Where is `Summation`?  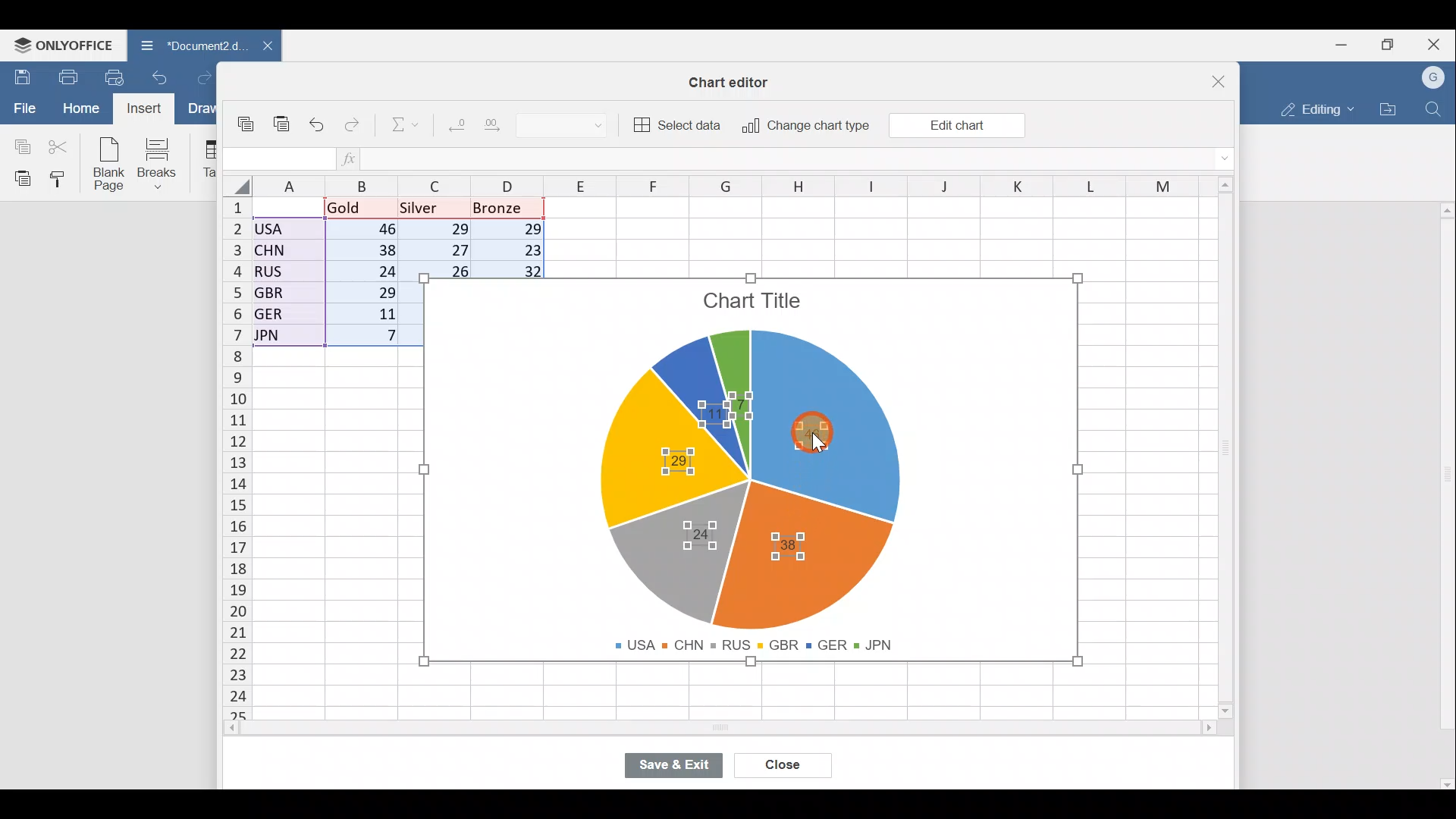 Summation is located at coordinates (406, 122).